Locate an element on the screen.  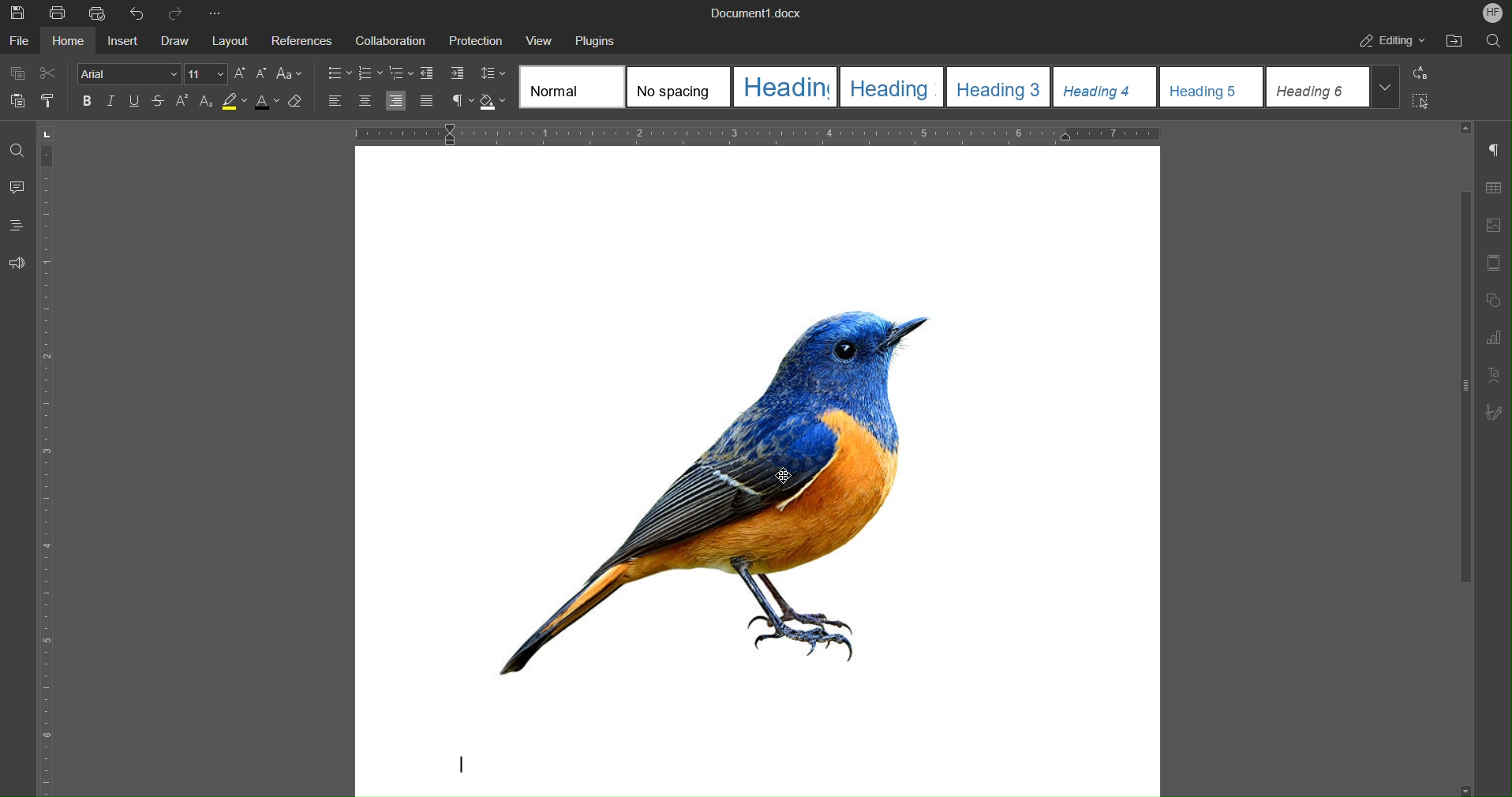
Paragraph Settings is located at coordinates (1494, 150).